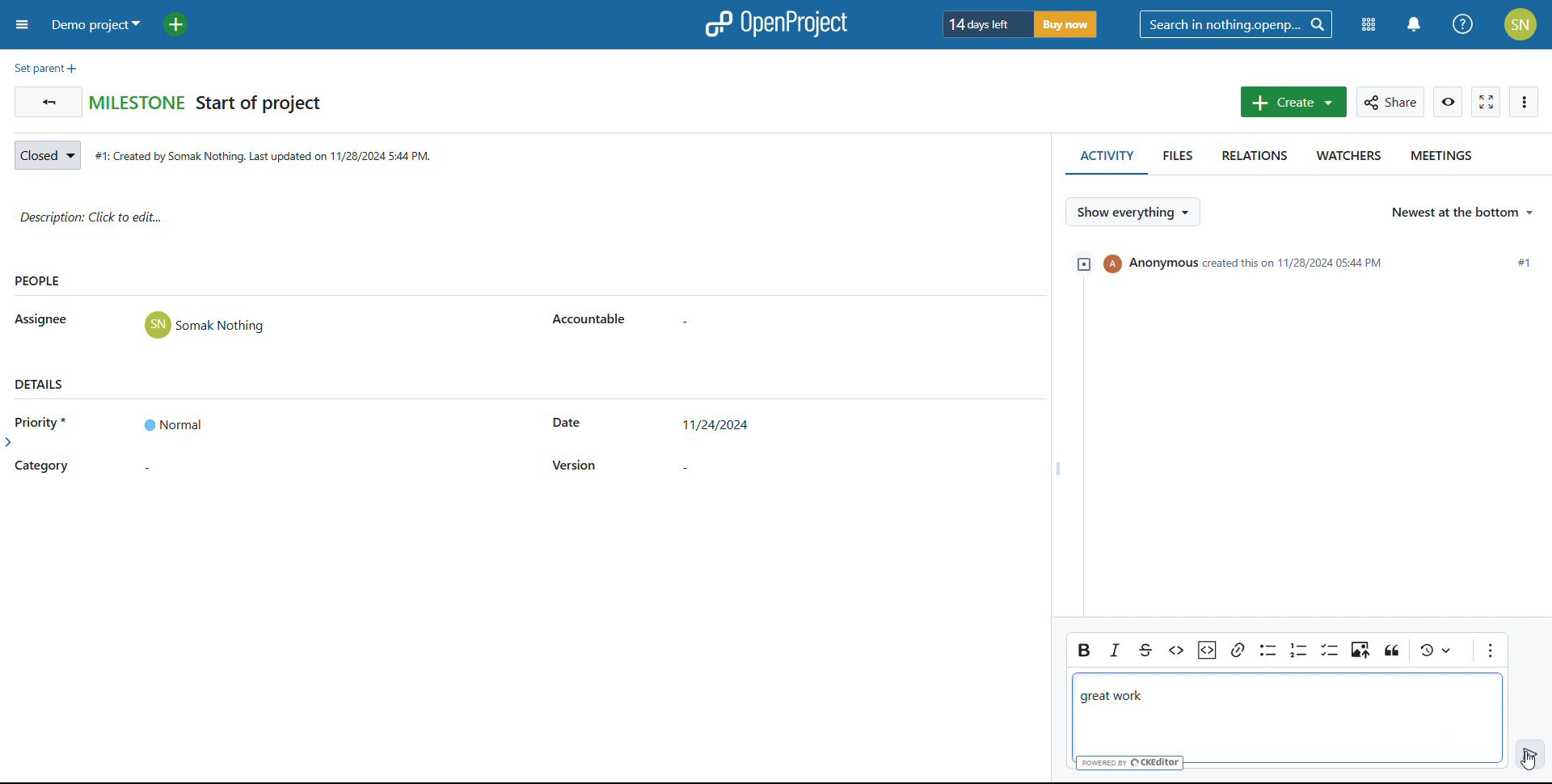 Image resolution: width=1552 pixels, height=784 pixels. What do you see at coordinates (1298, 650) in the screenshot?
I see `number list` at bounding box center [1298, 650].